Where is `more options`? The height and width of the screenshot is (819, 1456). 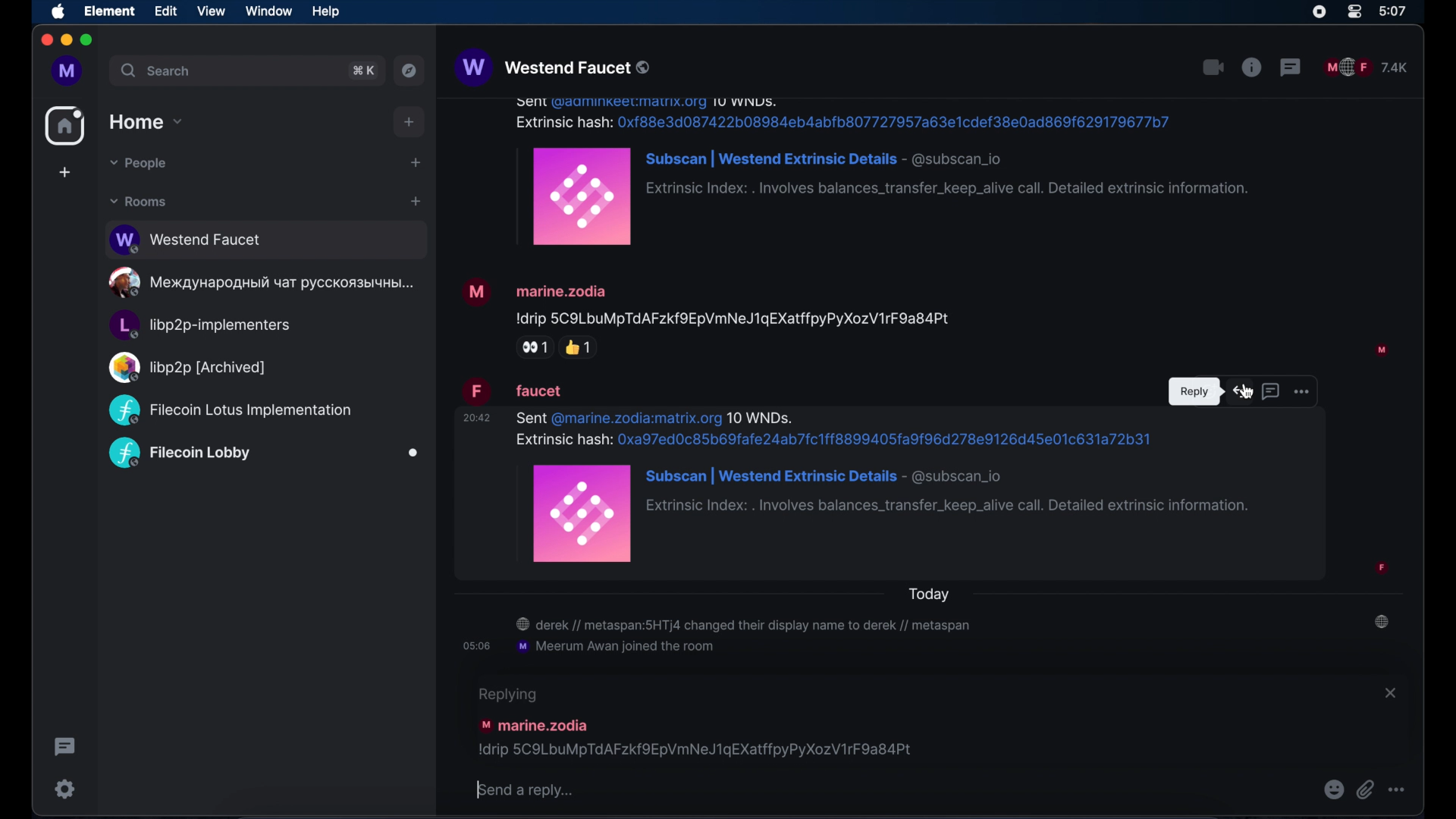 more options is located at coordinates (1302, 390).